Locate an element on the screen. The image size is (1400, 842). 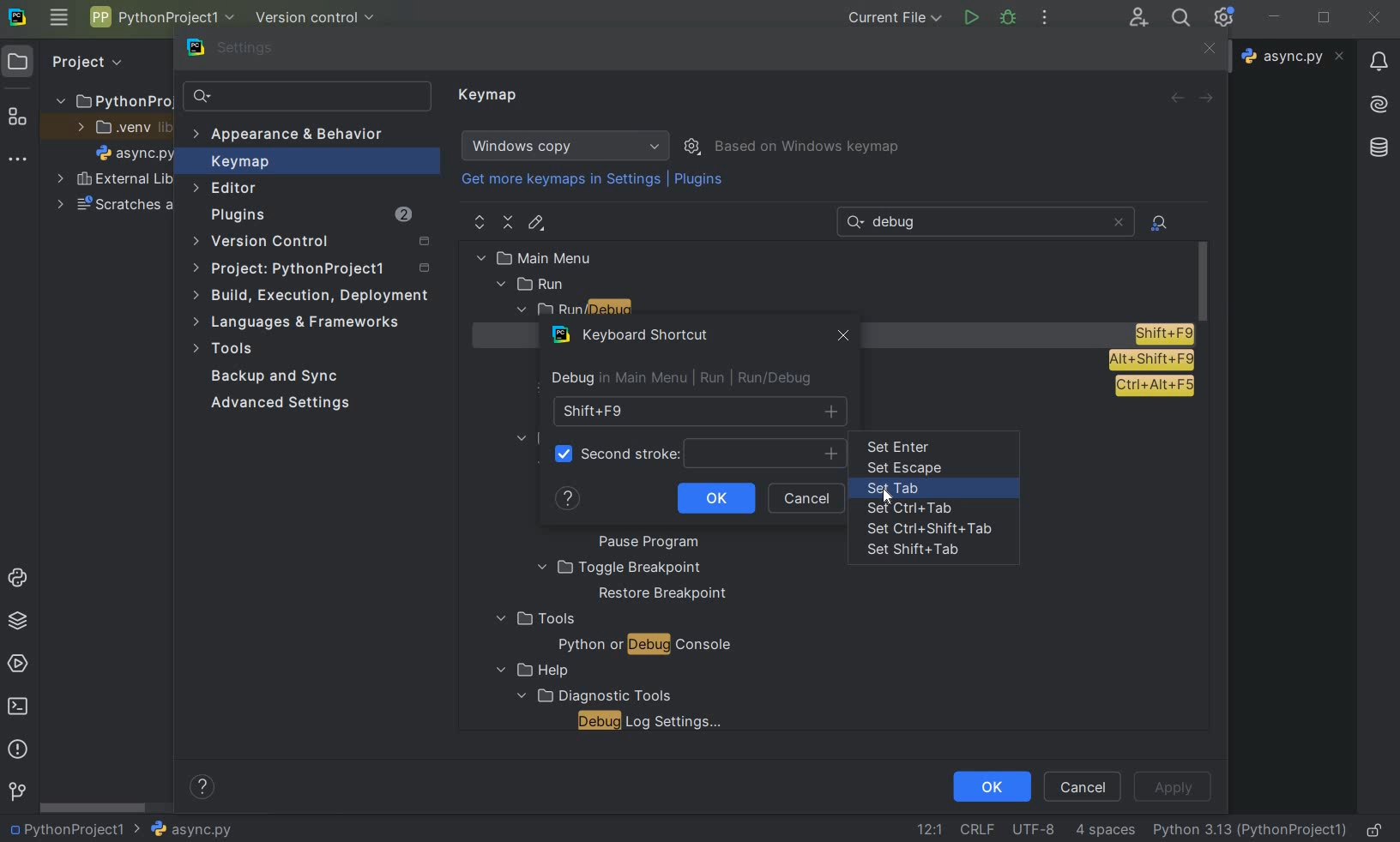
problems is located at coordinates (16, 748).